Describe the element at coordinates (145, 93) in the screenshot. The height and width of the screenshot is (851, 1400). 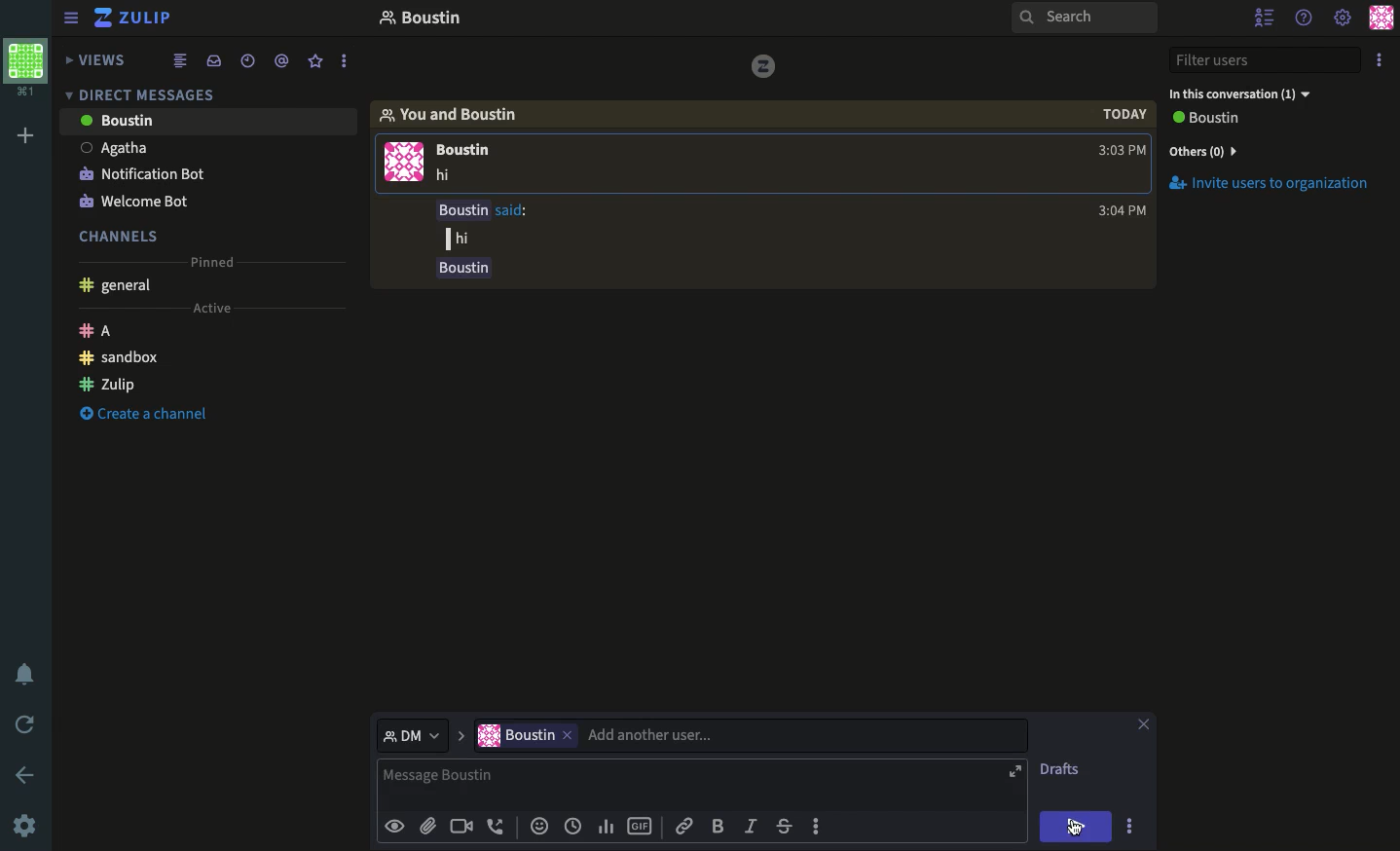
I see `DM` at that location.